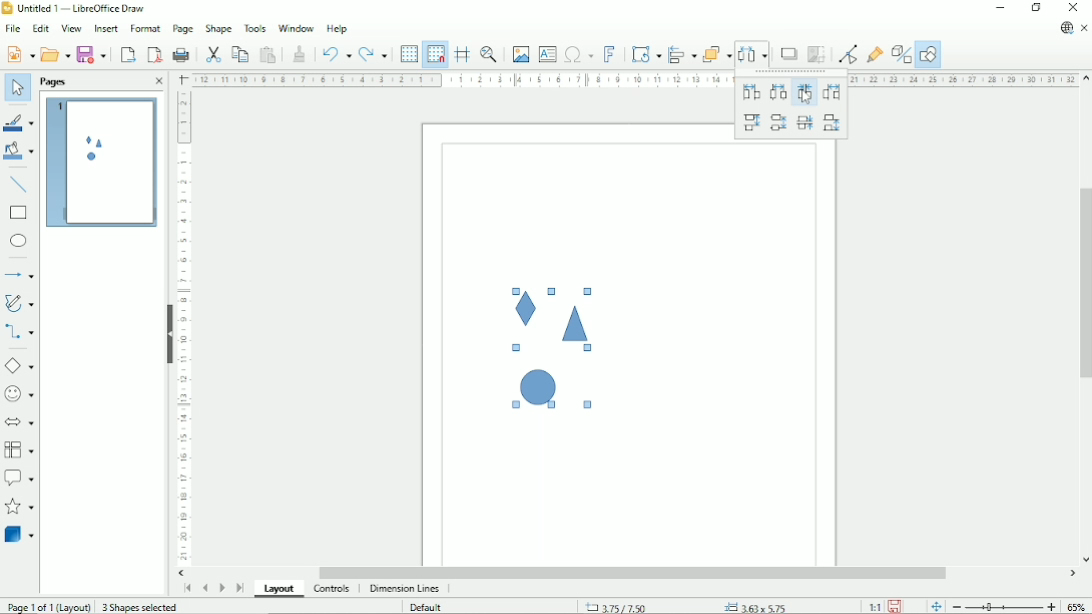 The height and width of the screenshot is (614, 1092). I want to click on Format, so click(144, 27).